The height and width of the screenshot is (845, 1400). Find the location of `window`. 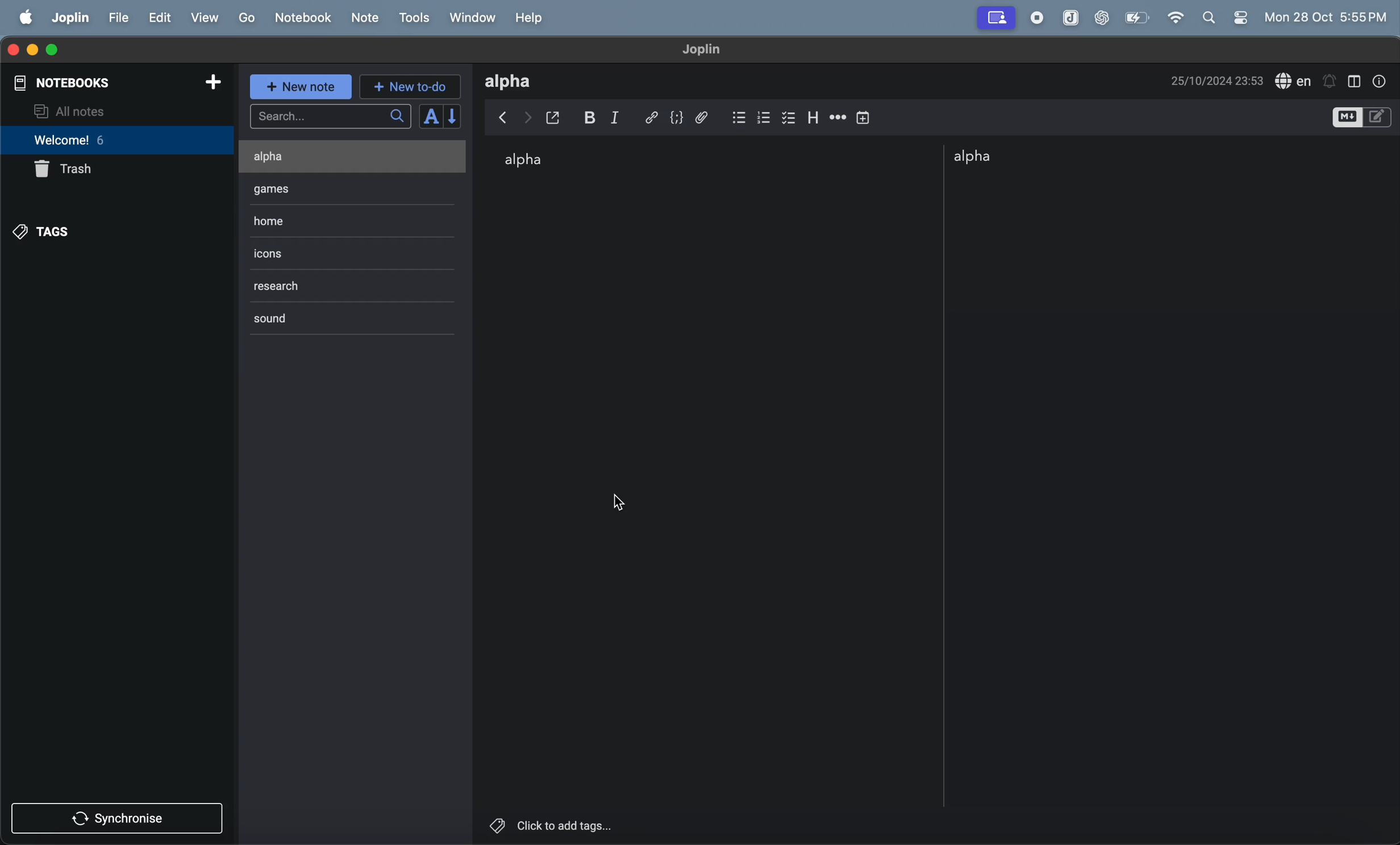

window is located at coordinates (474, 18).